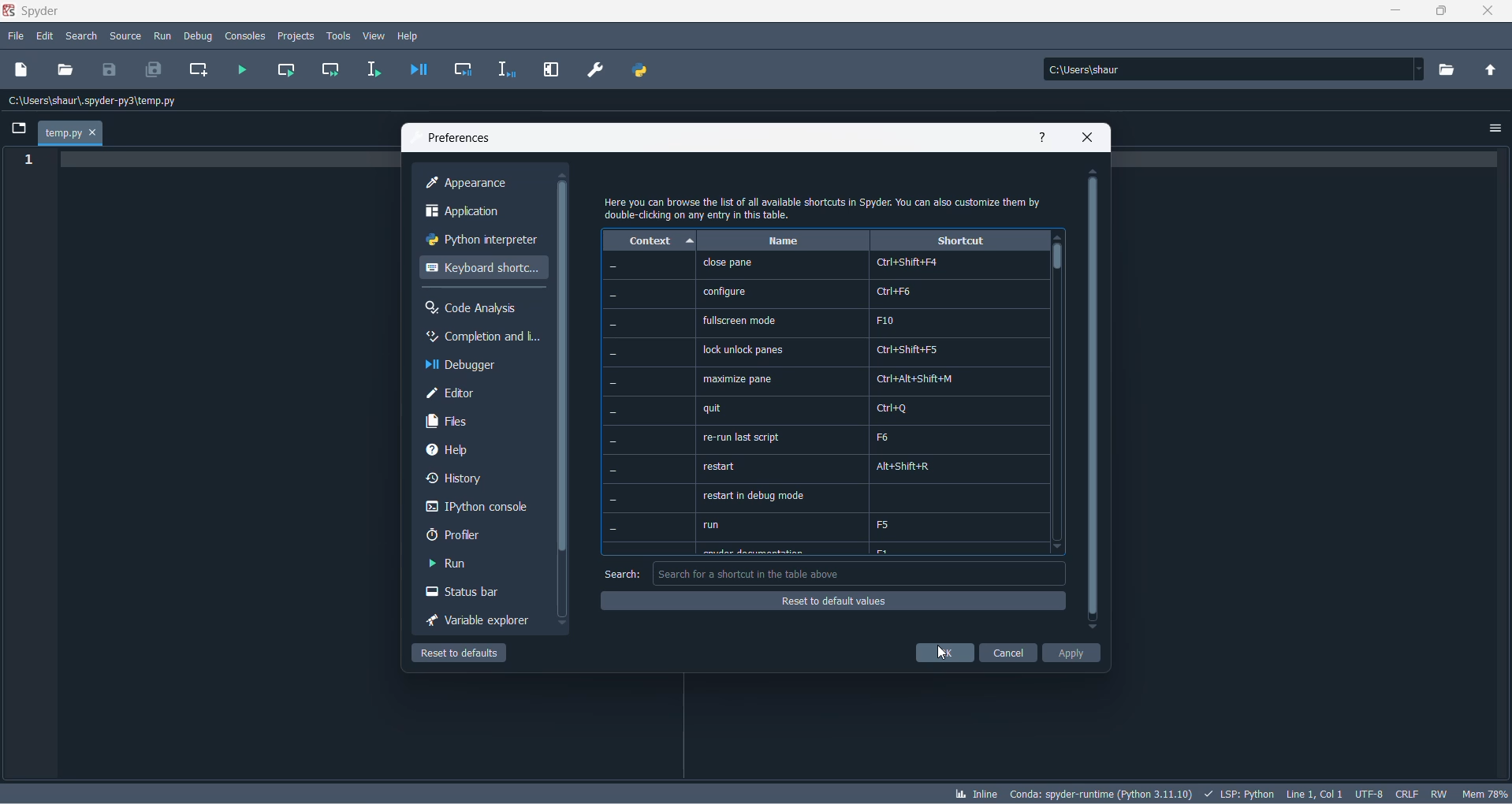 The height and width of the screenshot is (804, 1512). I want to click on configure, so click(724, 291).